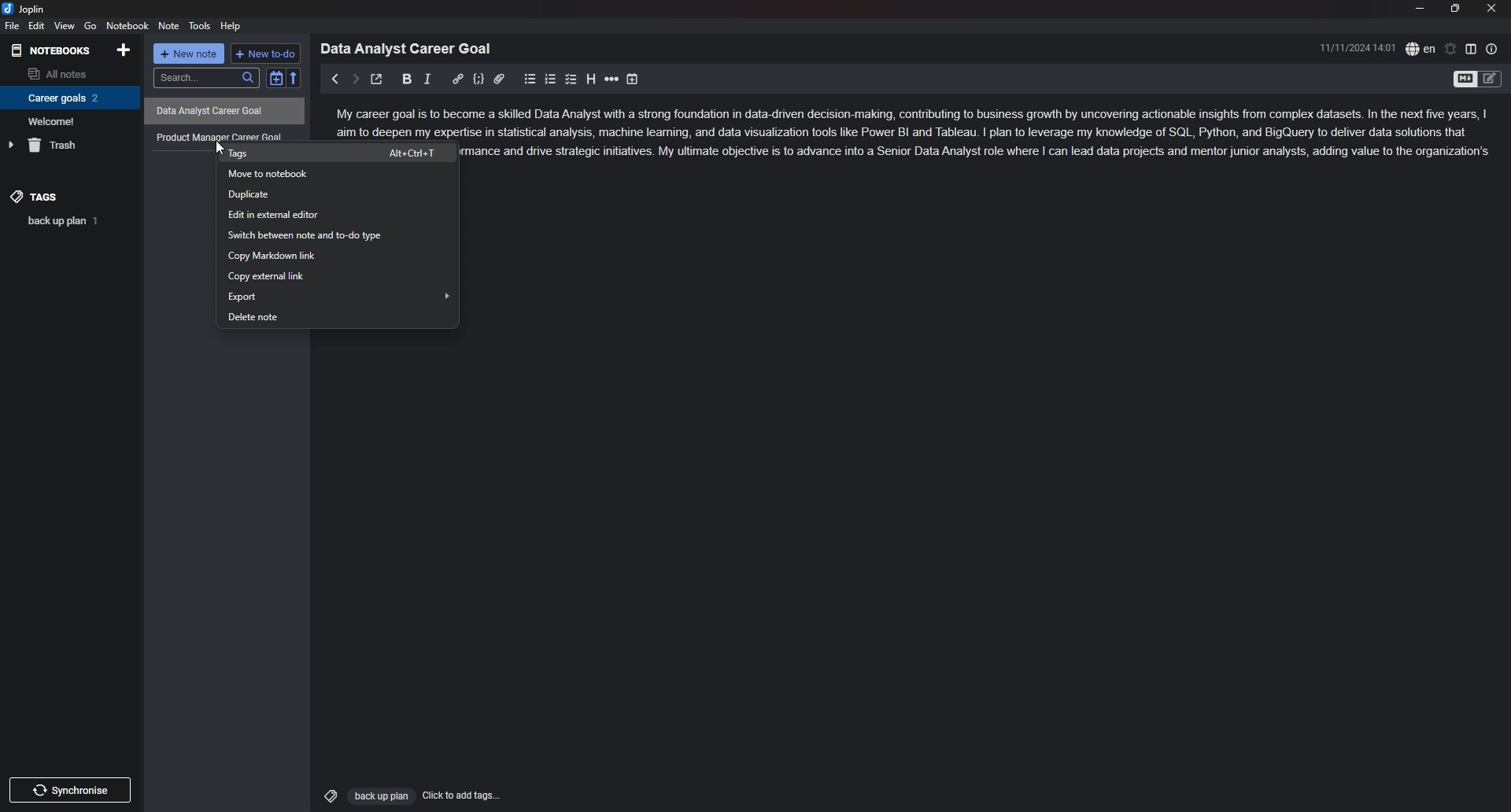  What do you see at coordinates (530, 79) in the screenshot?
I see `bullet list` at bounding box center [530, 79].